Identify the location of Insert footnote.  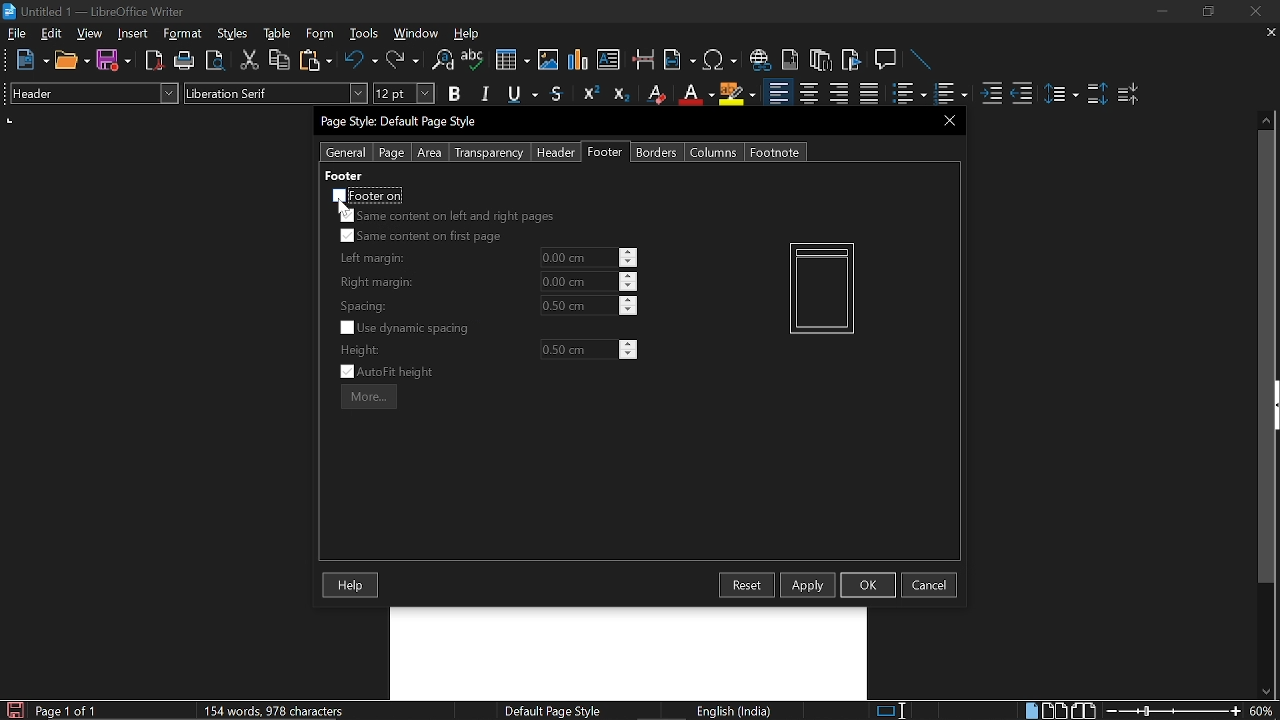
(821, 60).